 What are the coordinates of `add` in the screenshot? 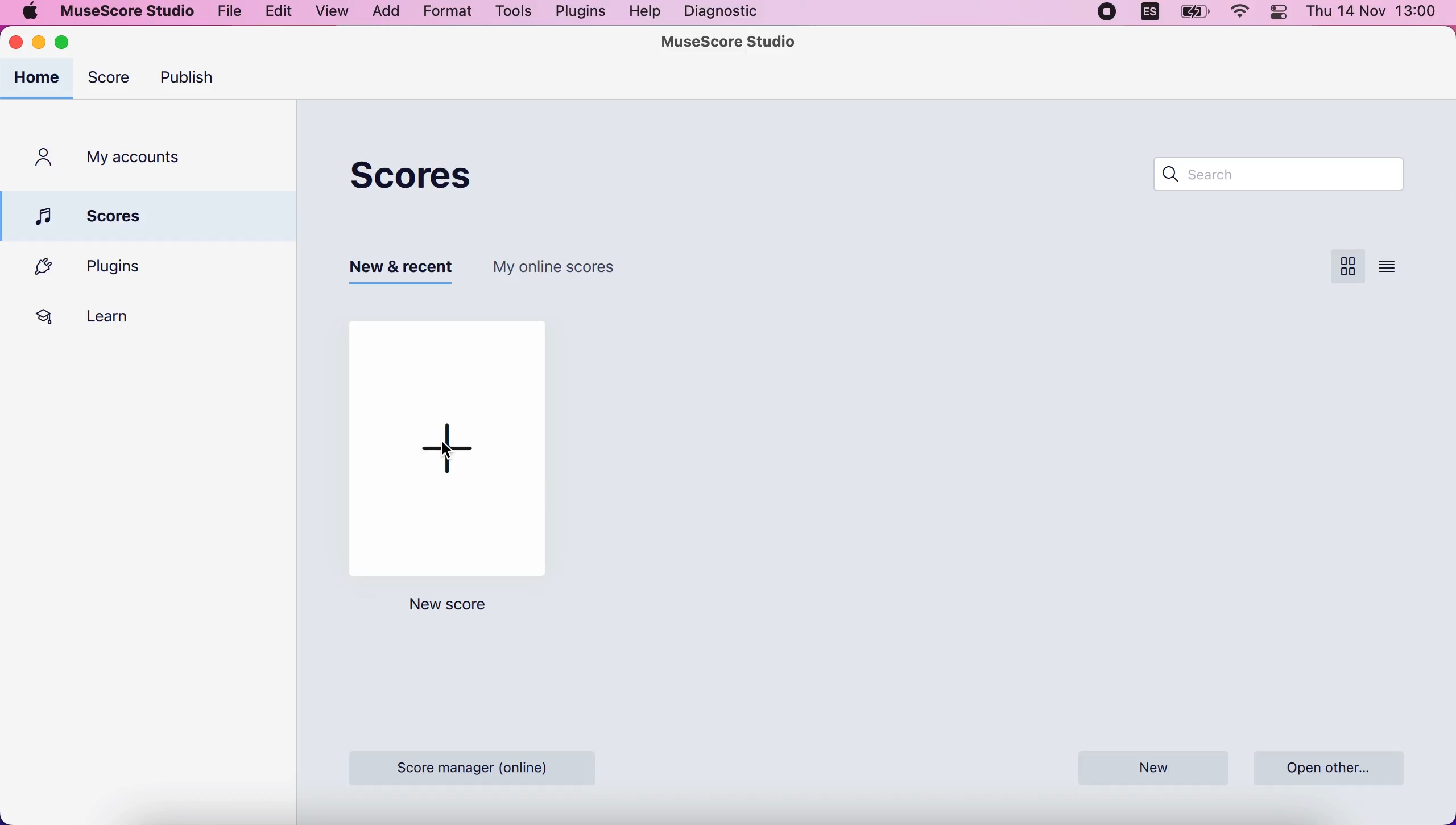 It's located at (384, 13).